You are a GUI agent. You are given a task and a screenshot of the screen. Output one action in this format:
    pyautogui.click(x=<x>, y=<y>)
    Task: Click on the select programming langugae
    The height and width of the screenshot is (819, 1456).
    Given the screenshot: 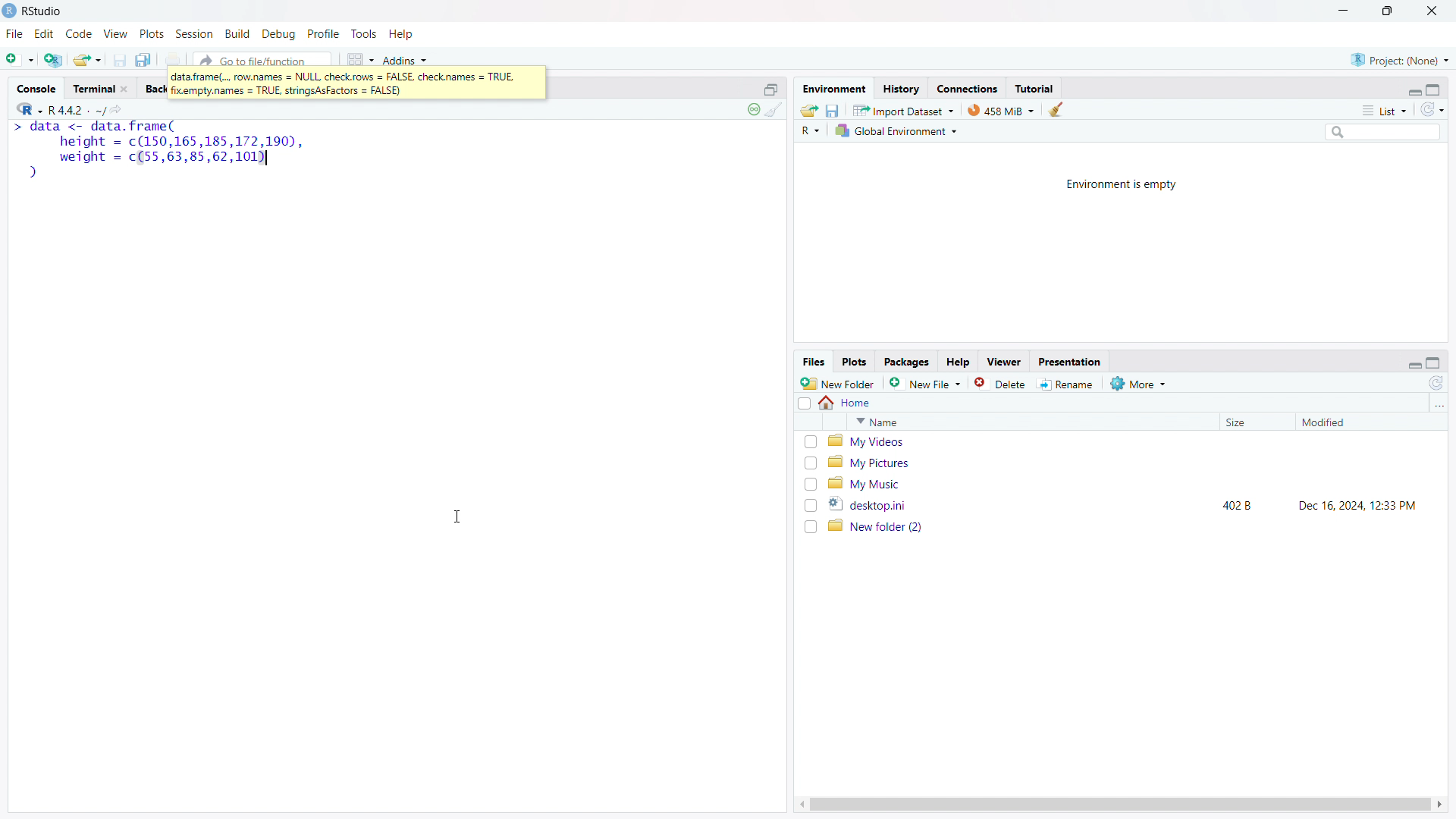 What is the action you would take?
    pyautogui.click(x=811, y=130)
    